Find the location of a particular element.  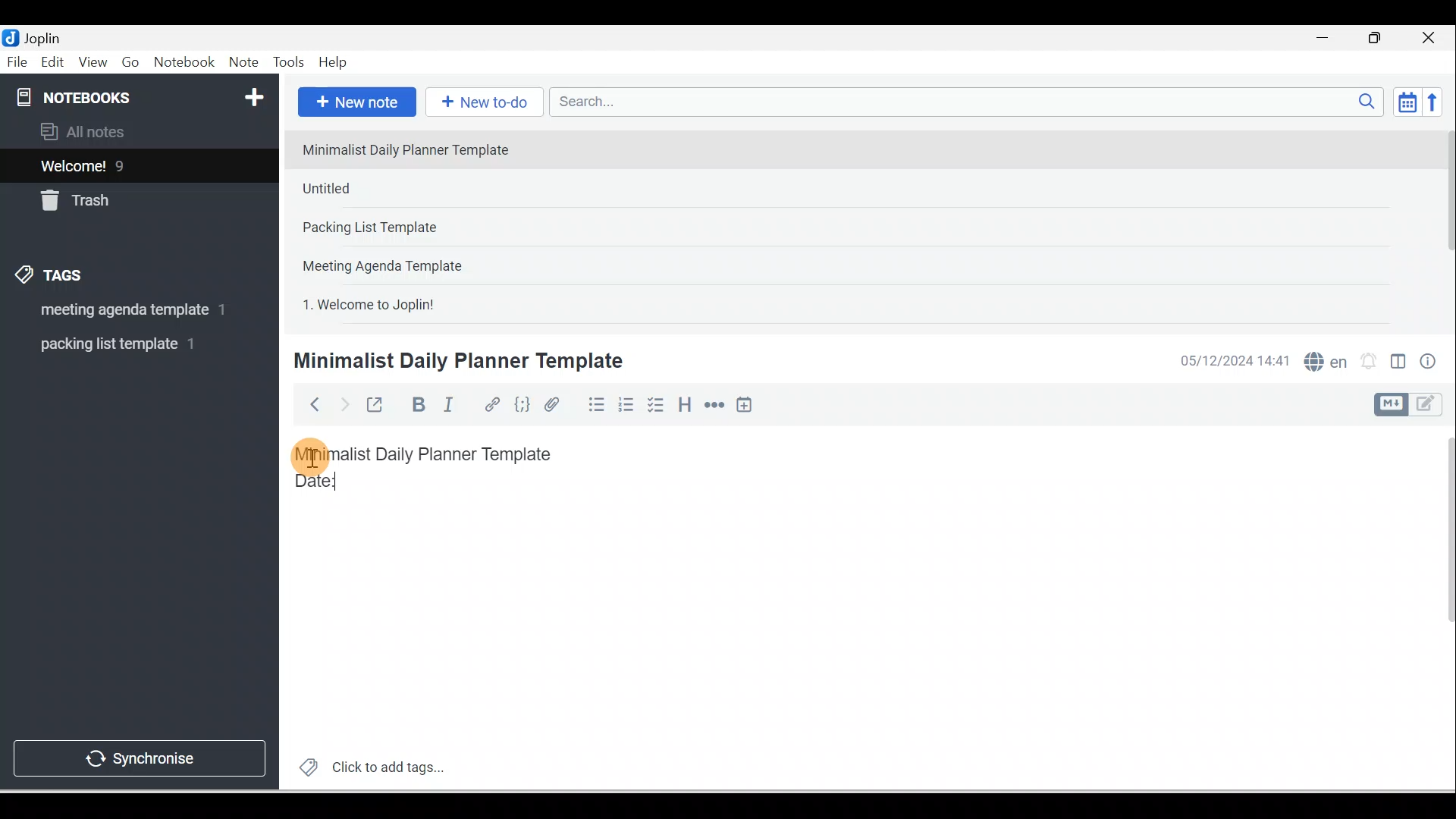

Back is located at coordinates (308, 404).